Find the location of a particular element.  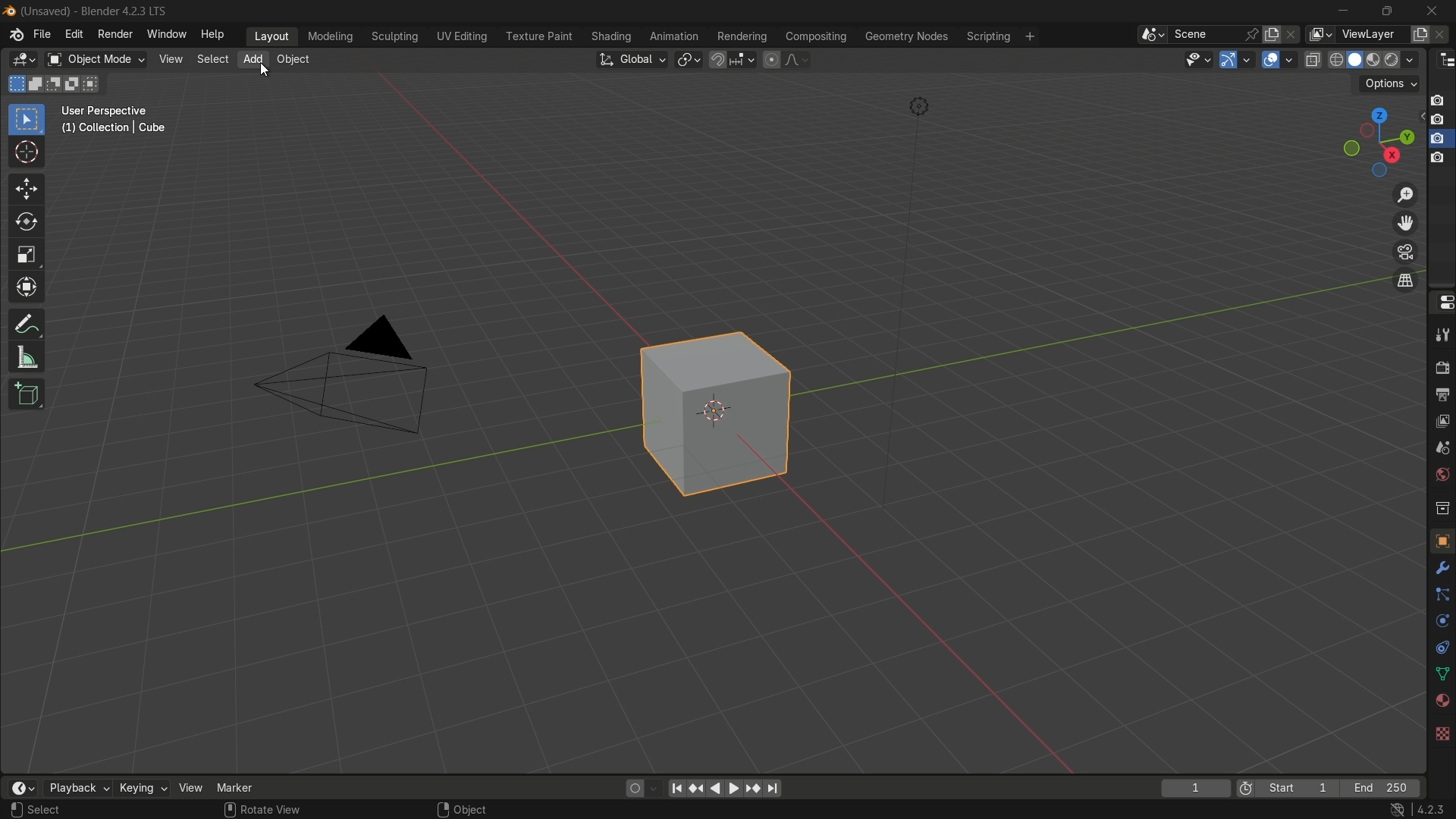

view is located at coordinates (1442, 424).